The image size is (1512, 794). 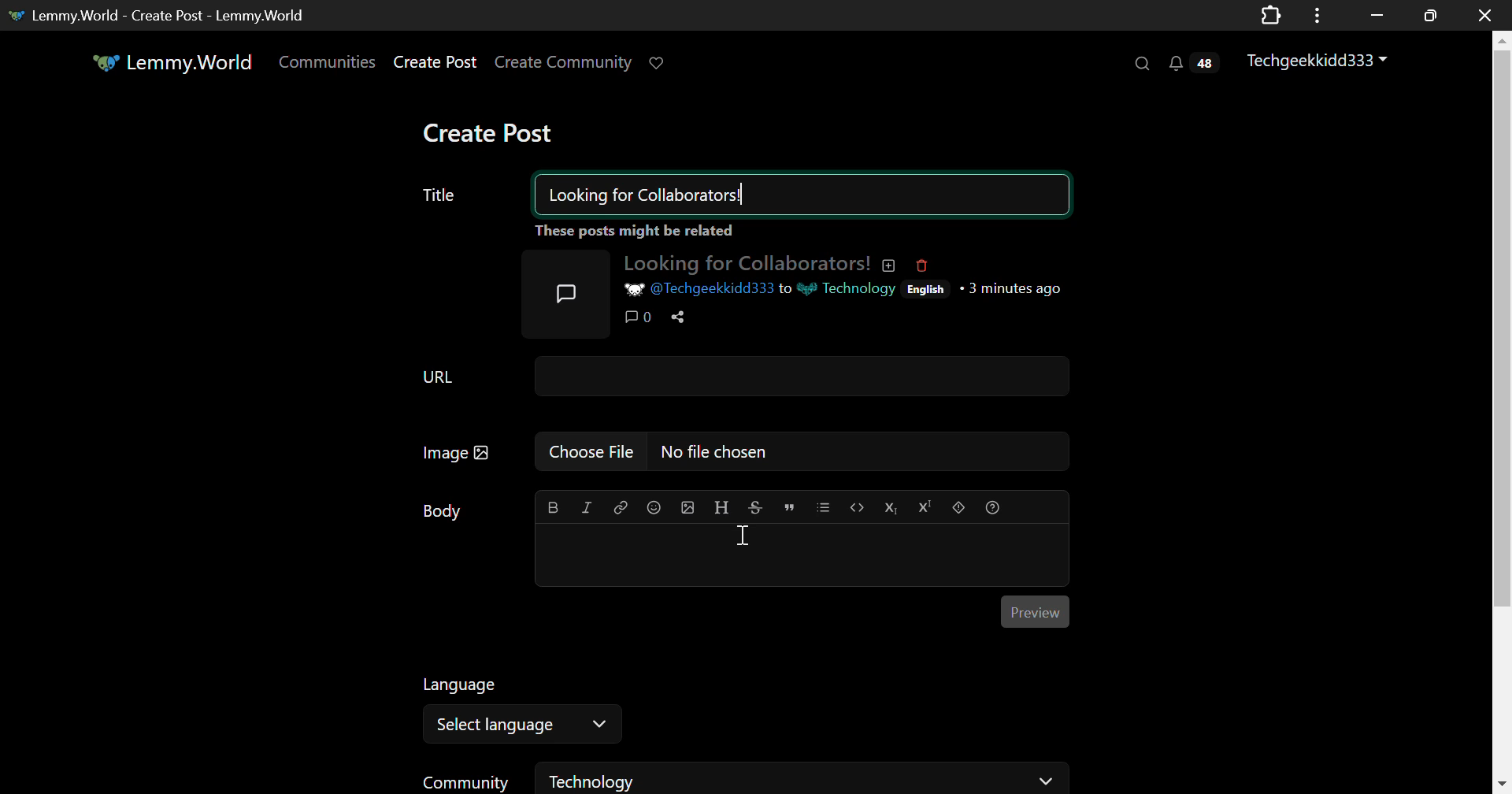 What do you see at coordinates (654, 507) in the screenshot?
I see `emoji` at bounding box center [654, 507].